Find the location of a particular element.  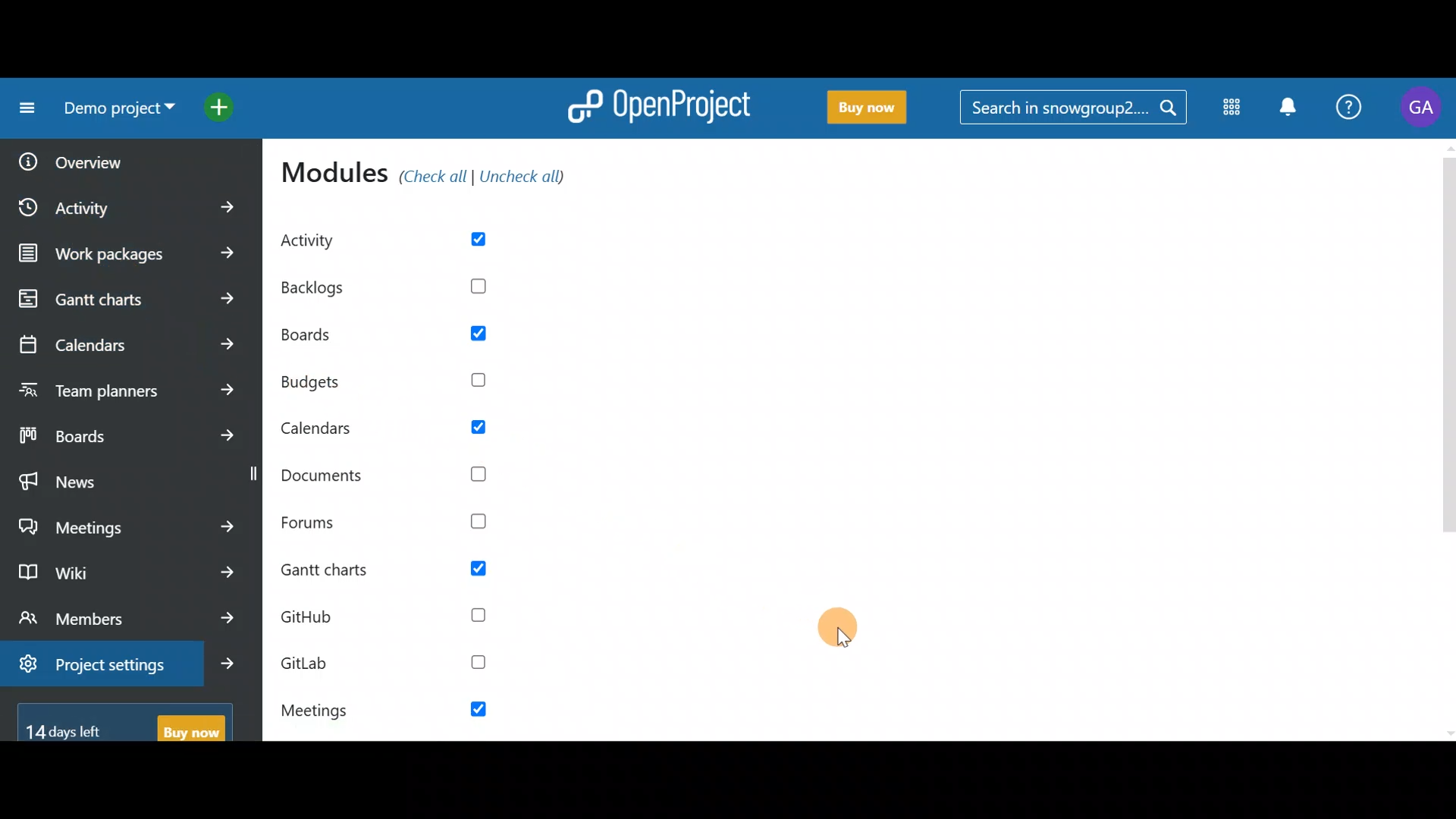

Meetings is located at coordinates (127, 526).